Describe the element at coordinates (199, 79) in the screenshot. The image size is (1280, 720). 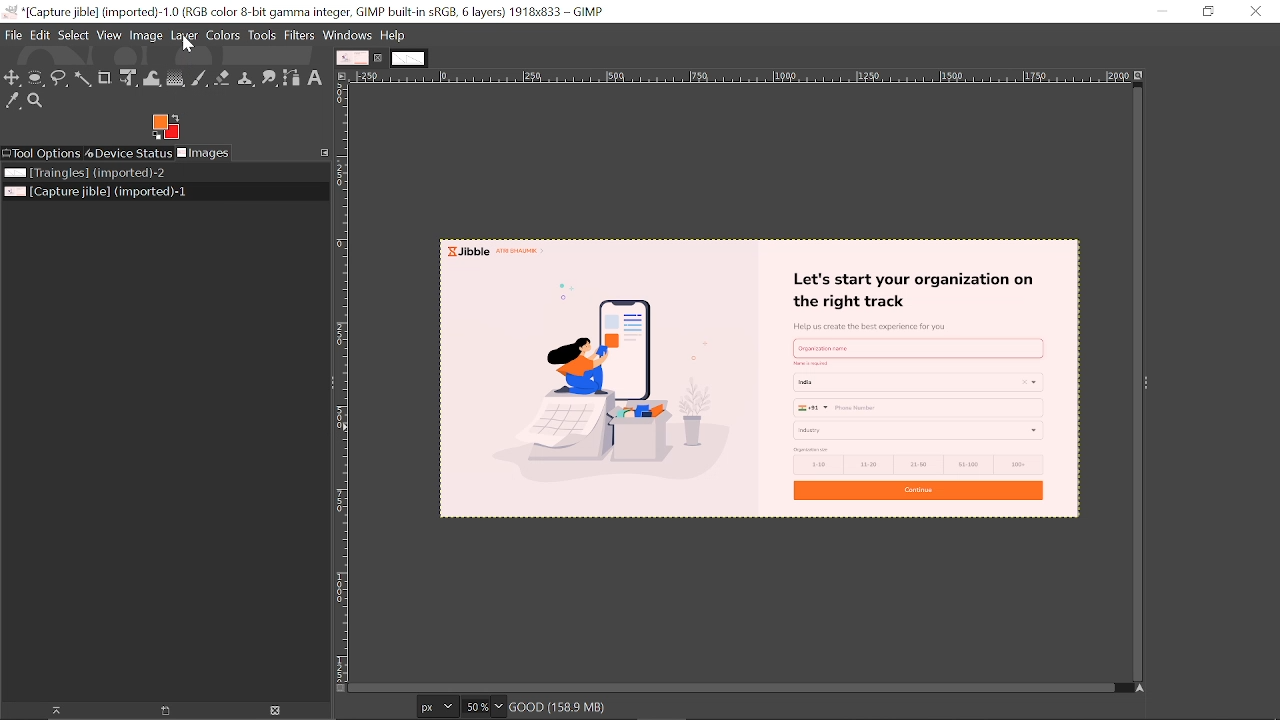
I see `Paintbrush tool` at that location.